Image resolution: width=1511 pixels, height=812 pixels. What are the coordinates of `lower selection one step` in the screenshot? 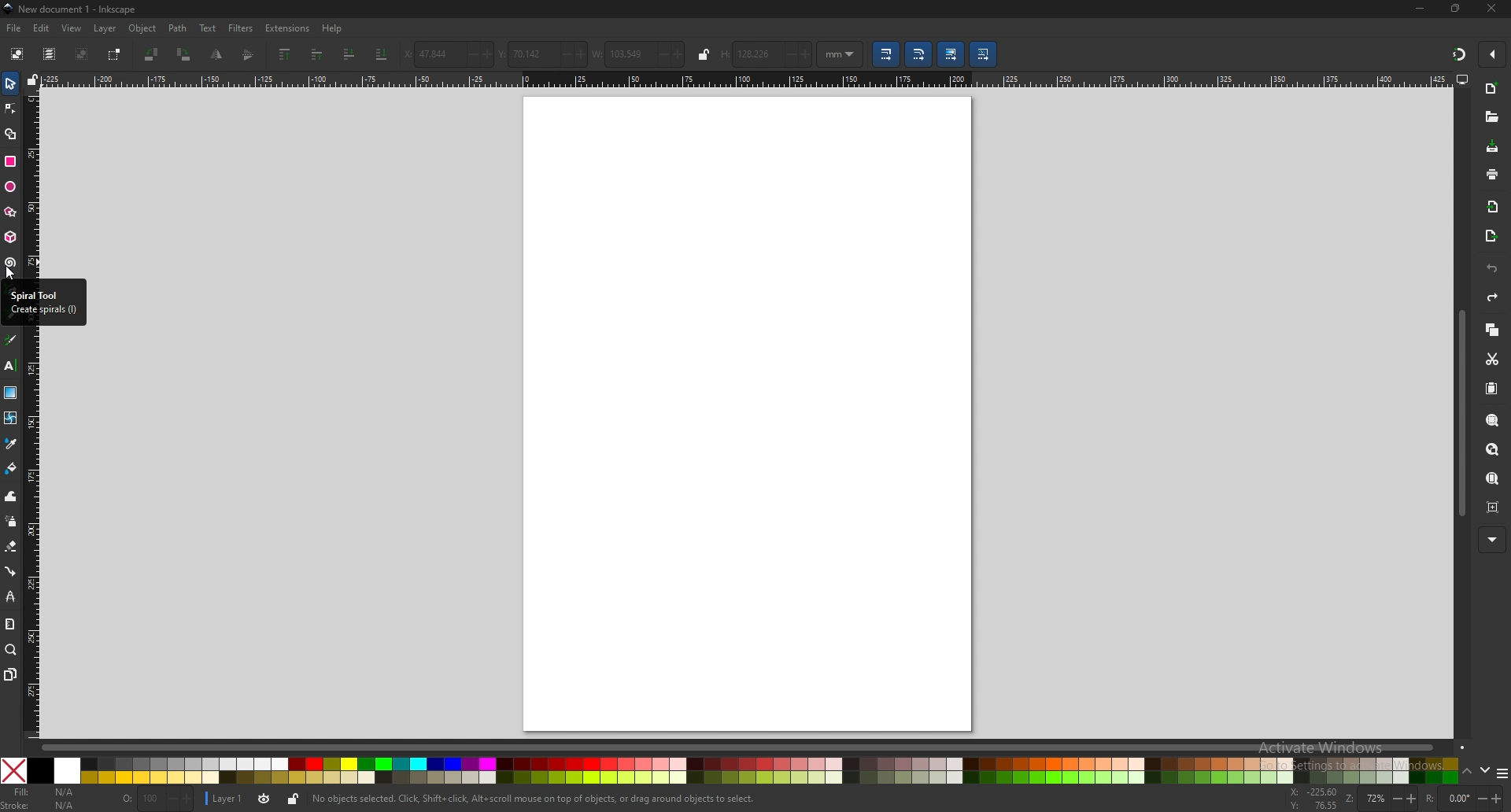 It's located at (349, 54).